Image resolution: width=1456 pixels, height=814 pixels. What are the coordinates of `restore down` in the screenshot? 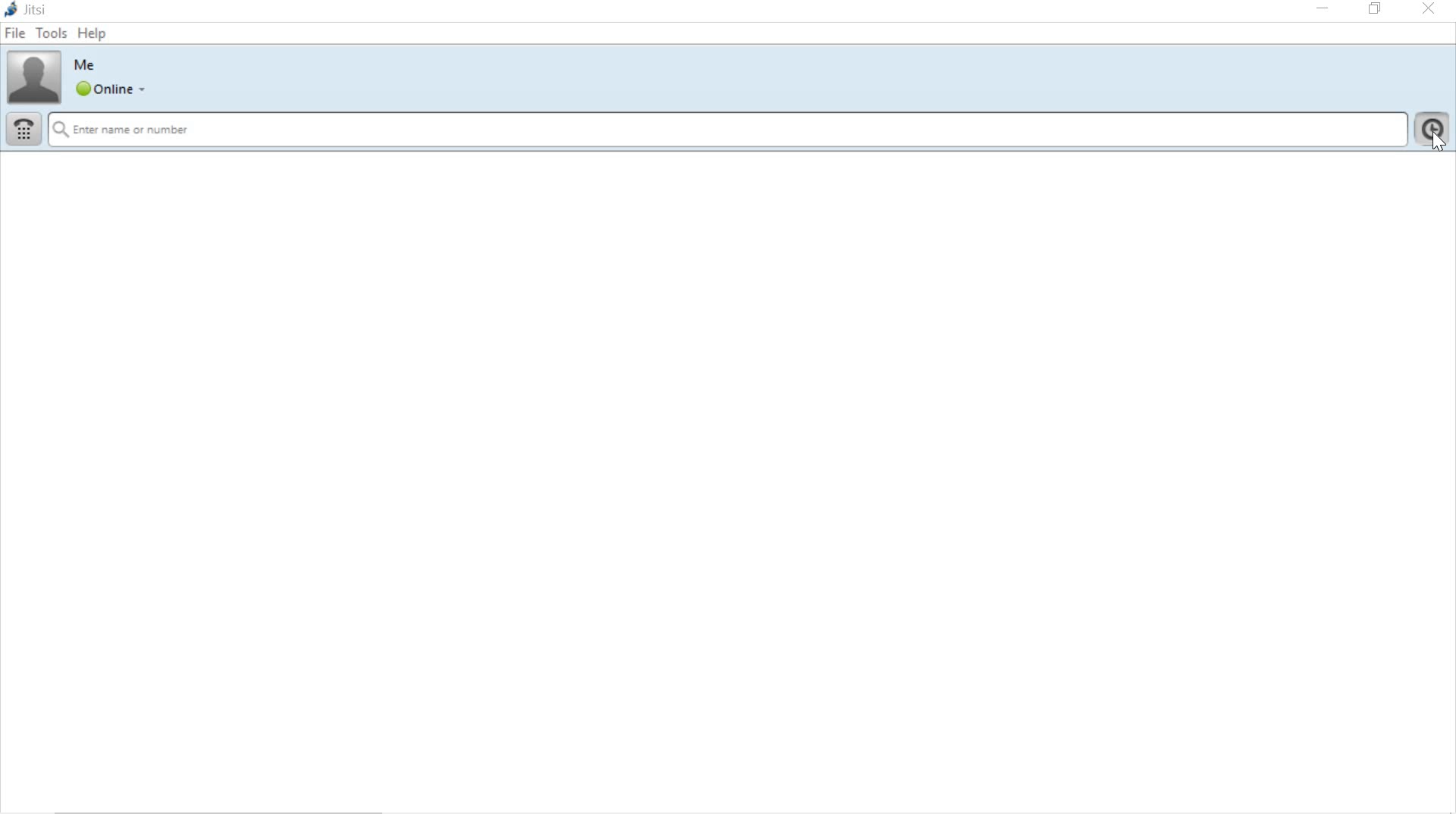 It's located at (1378, 9).